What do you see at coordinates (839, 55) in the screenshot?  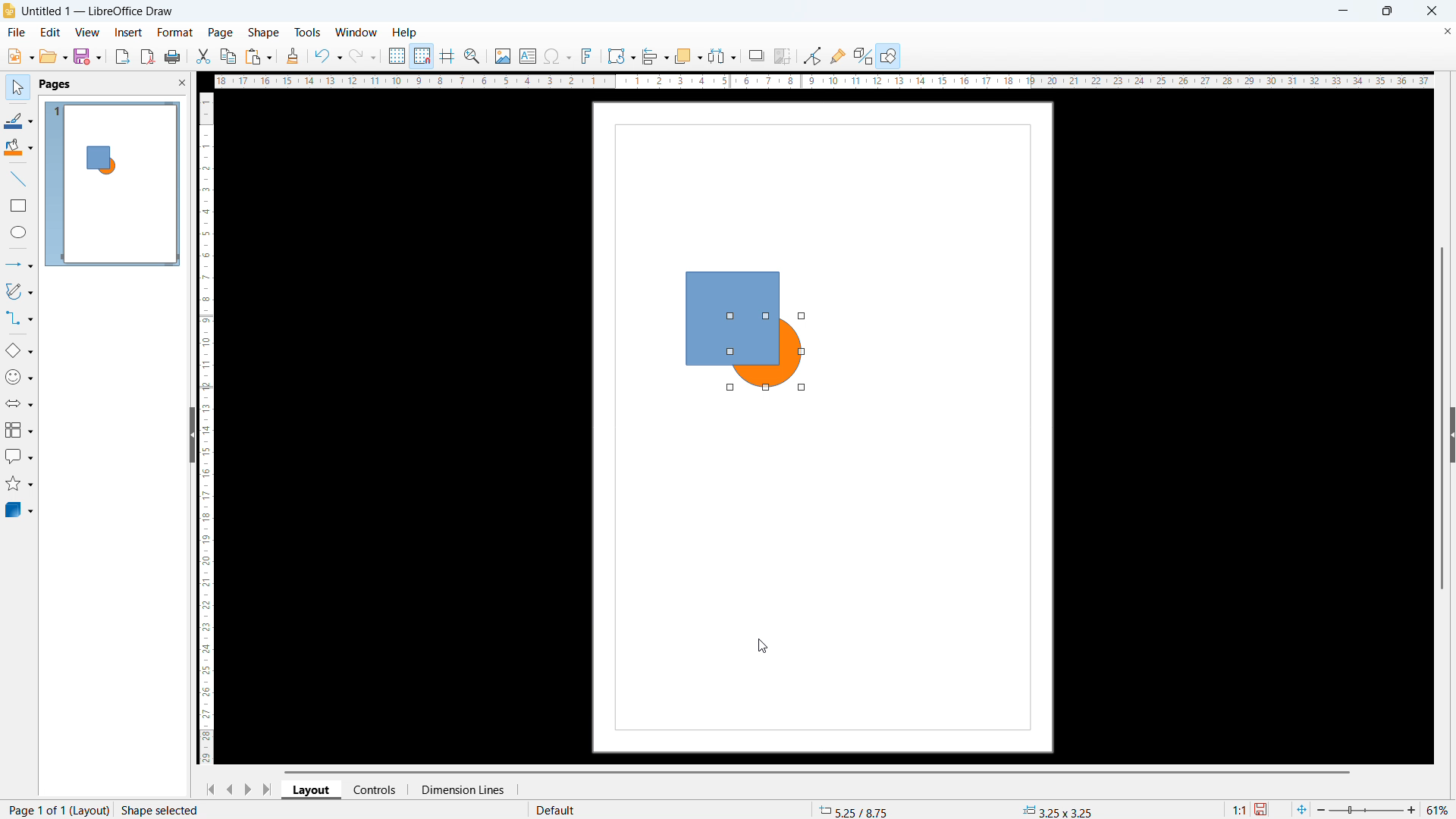 I see `show gluepoint functions` at bounding box center [839, 55].